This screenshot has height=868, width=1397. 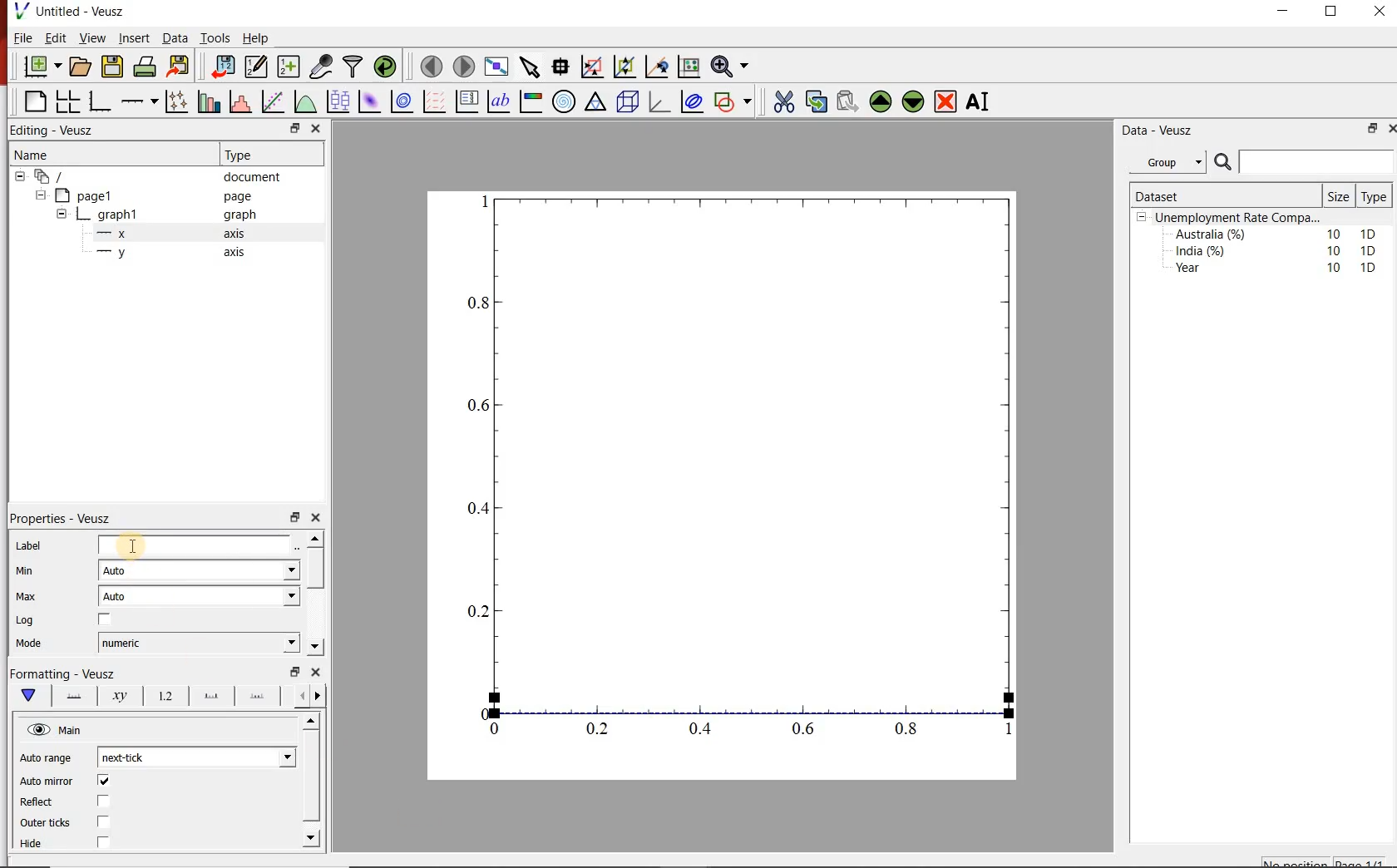 What do you see at coordinates (40, 195) in the screenshot?
I see `collapse` at bounding box center [40, 195].